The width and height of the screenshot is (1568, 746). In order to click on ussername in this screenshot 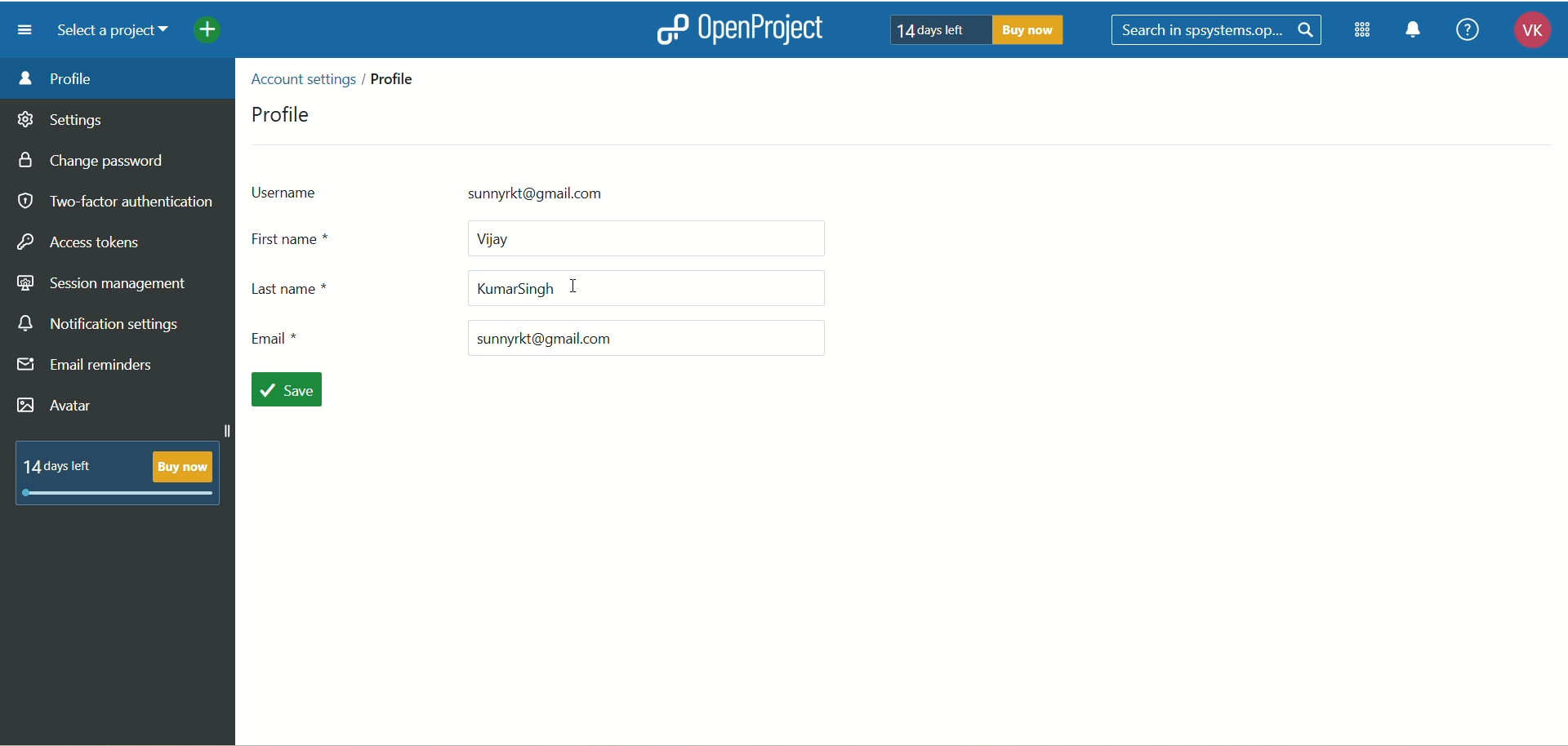, I will do `click(510, 191)`.